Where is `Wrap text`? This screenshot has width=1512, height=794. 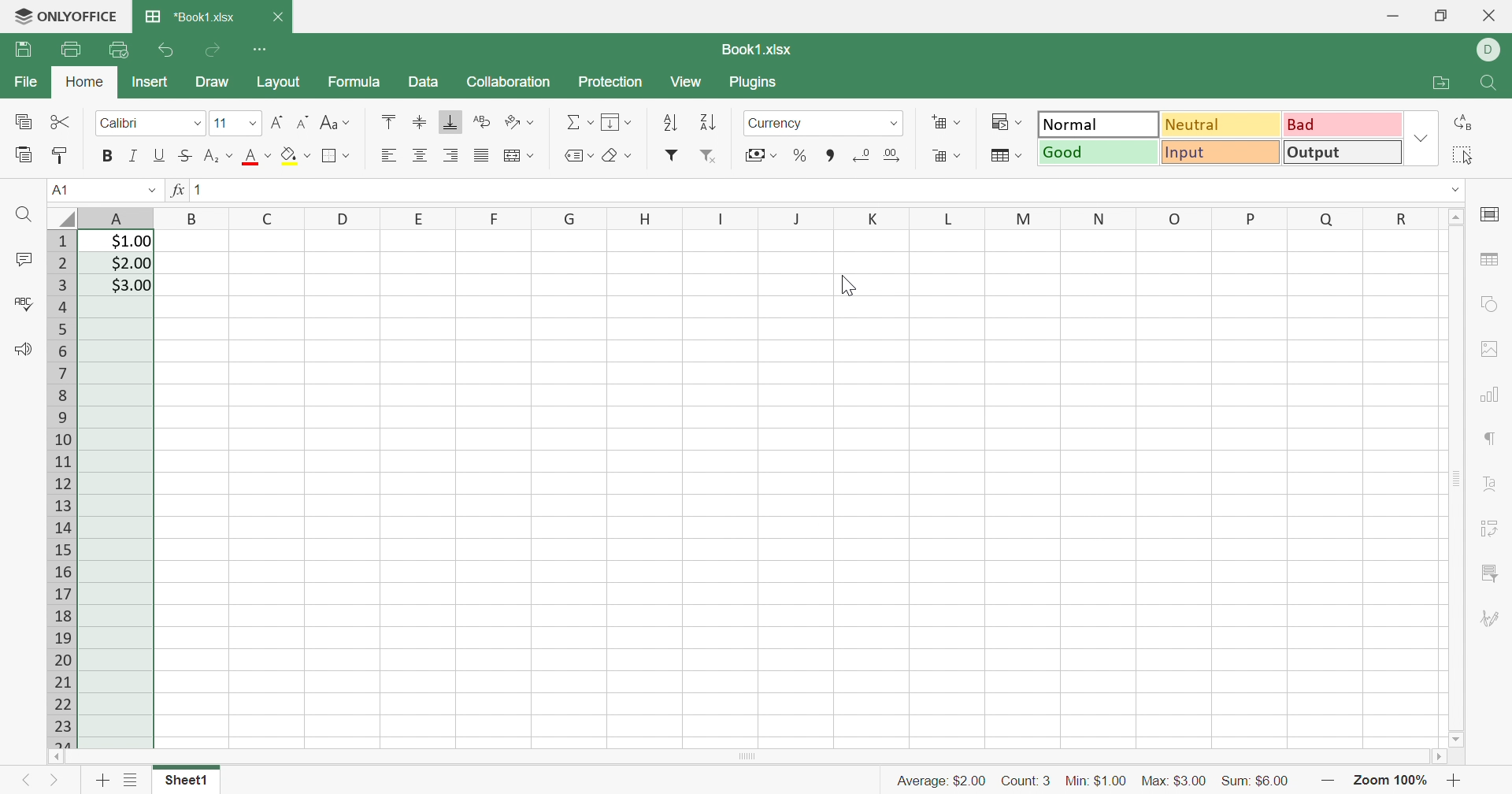 Wrap text is located at coordinates (484, 121).